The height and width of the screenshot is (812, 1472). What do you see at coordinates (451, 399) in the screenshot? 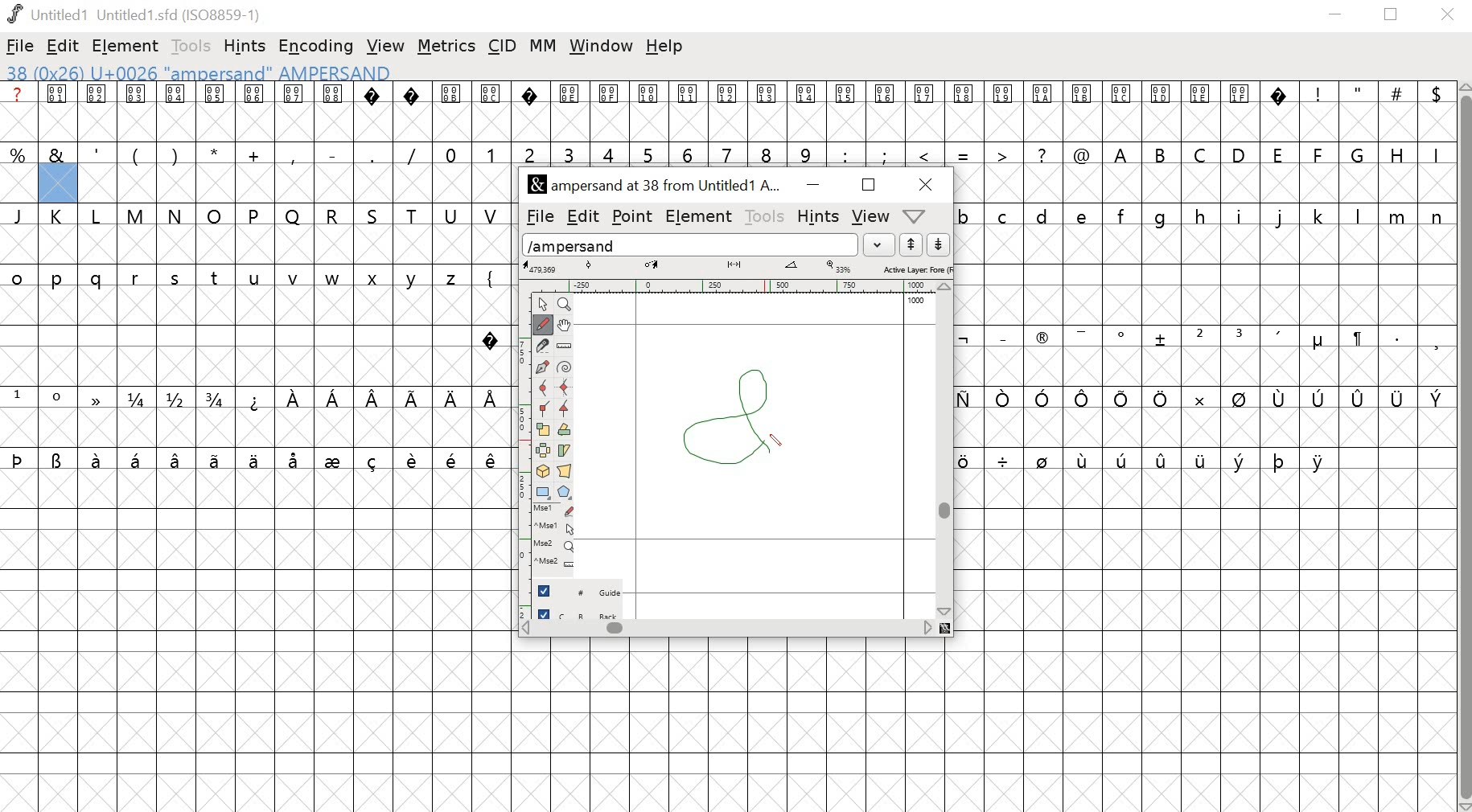
I see `symbol` at bounding box center [451, 399].